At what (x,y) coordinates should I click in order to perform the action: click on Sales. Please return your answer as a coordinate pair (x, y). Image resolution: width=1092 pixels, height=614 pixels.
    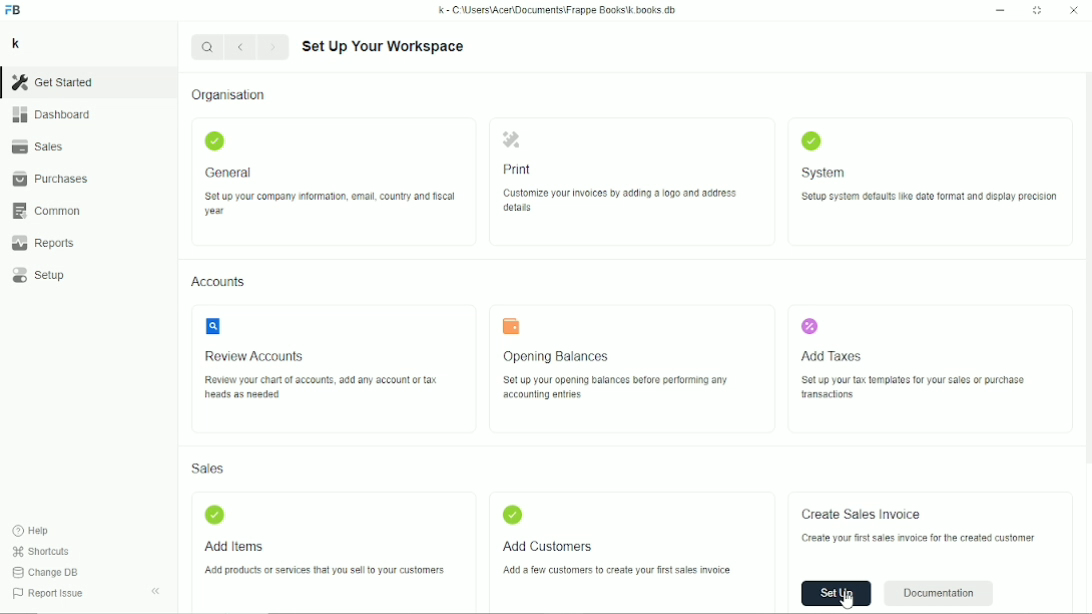
    Looking at the image, I should click on (209, 468).